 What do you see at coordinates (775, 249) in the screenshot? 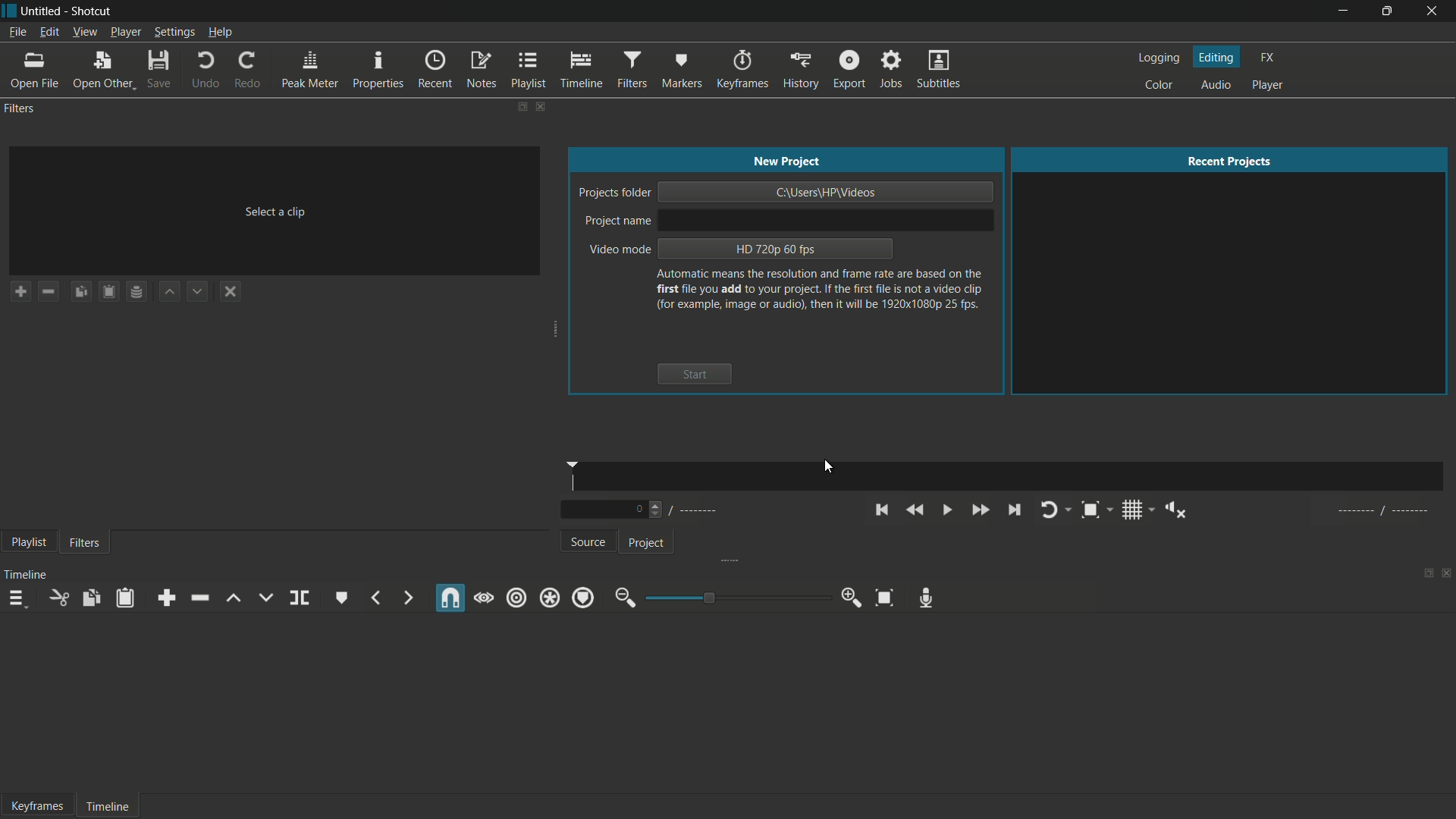
I see `hd 720p 60 fps` at bounding box center [775, 249].